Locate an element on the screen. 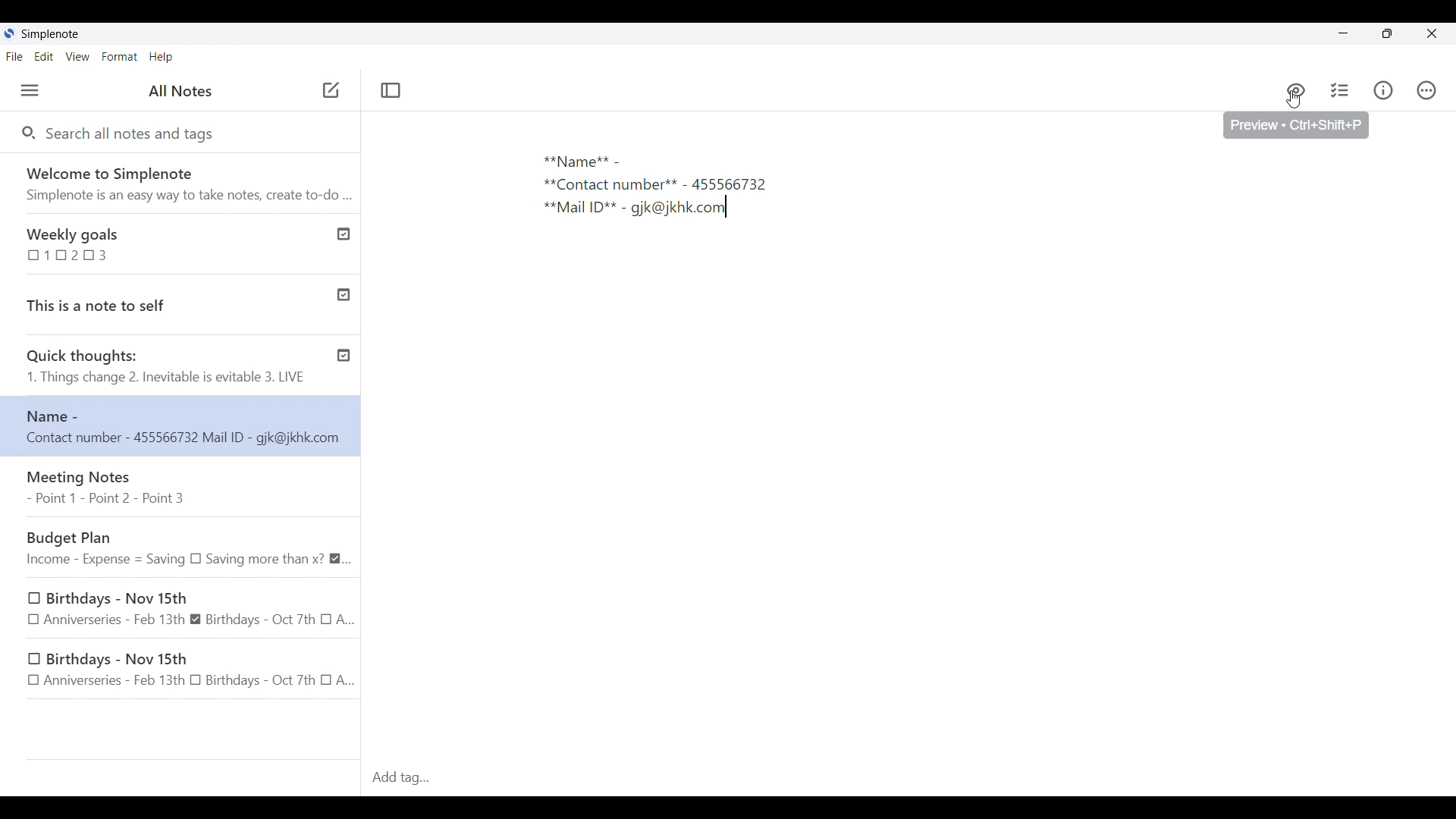  Insert checklist is located at coordinates (1341, 90).